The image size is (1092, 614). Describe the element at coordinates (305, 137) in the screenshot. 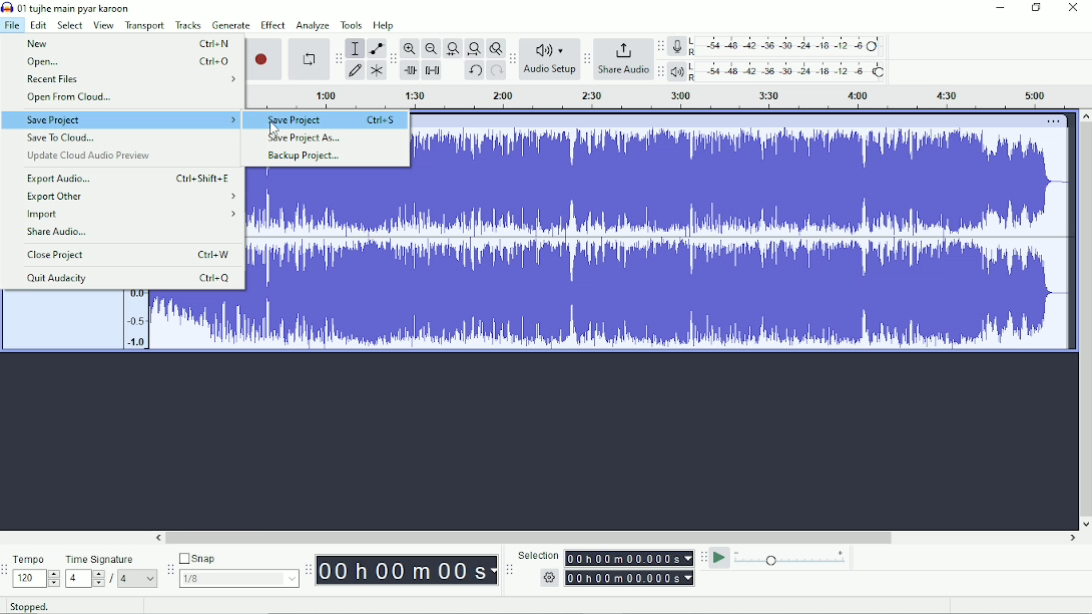

I see `Save Project As` at that location.